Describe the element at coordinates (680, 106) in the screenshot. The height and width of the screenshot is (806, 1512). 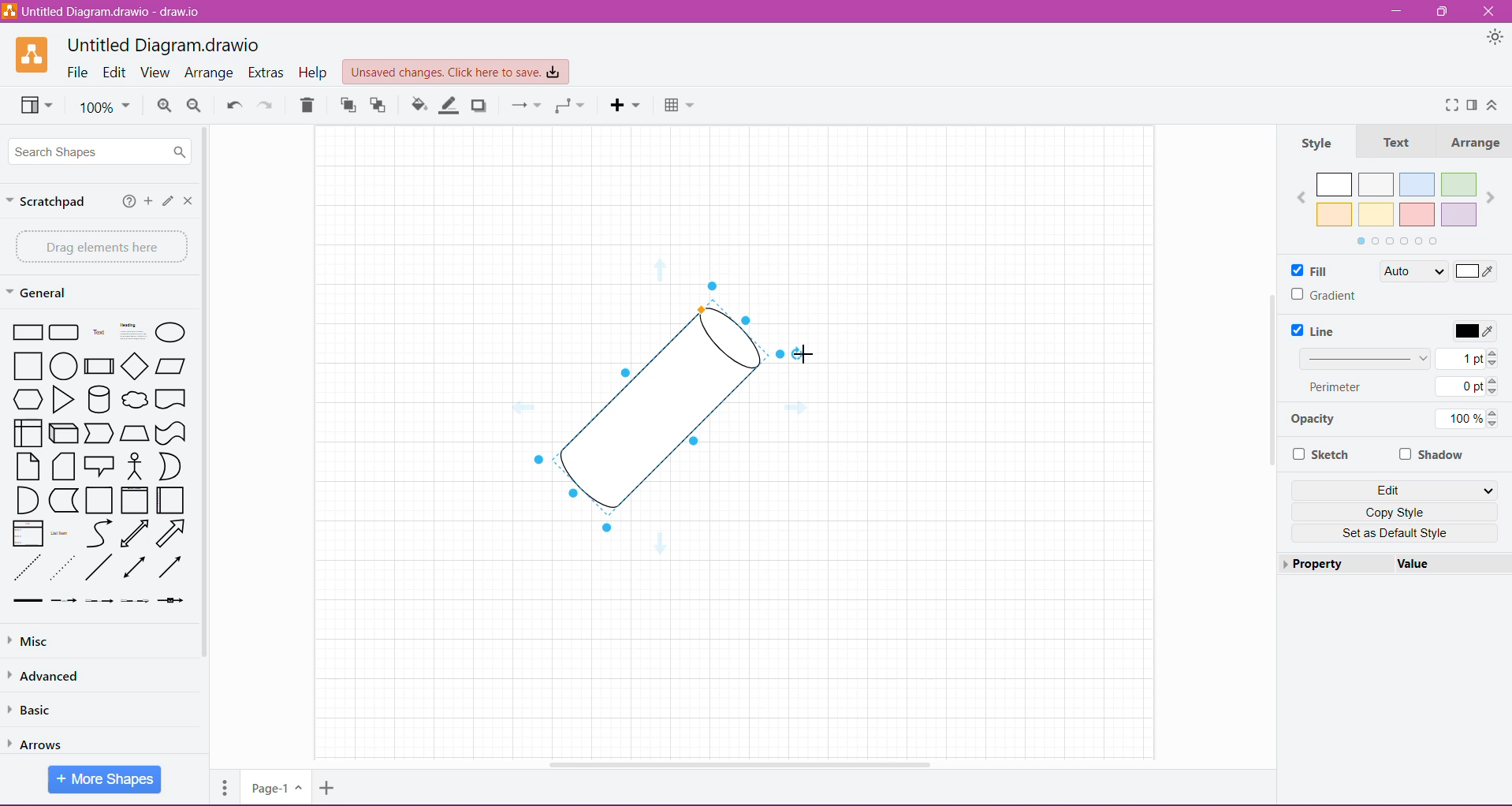
I see `Table` at that location.